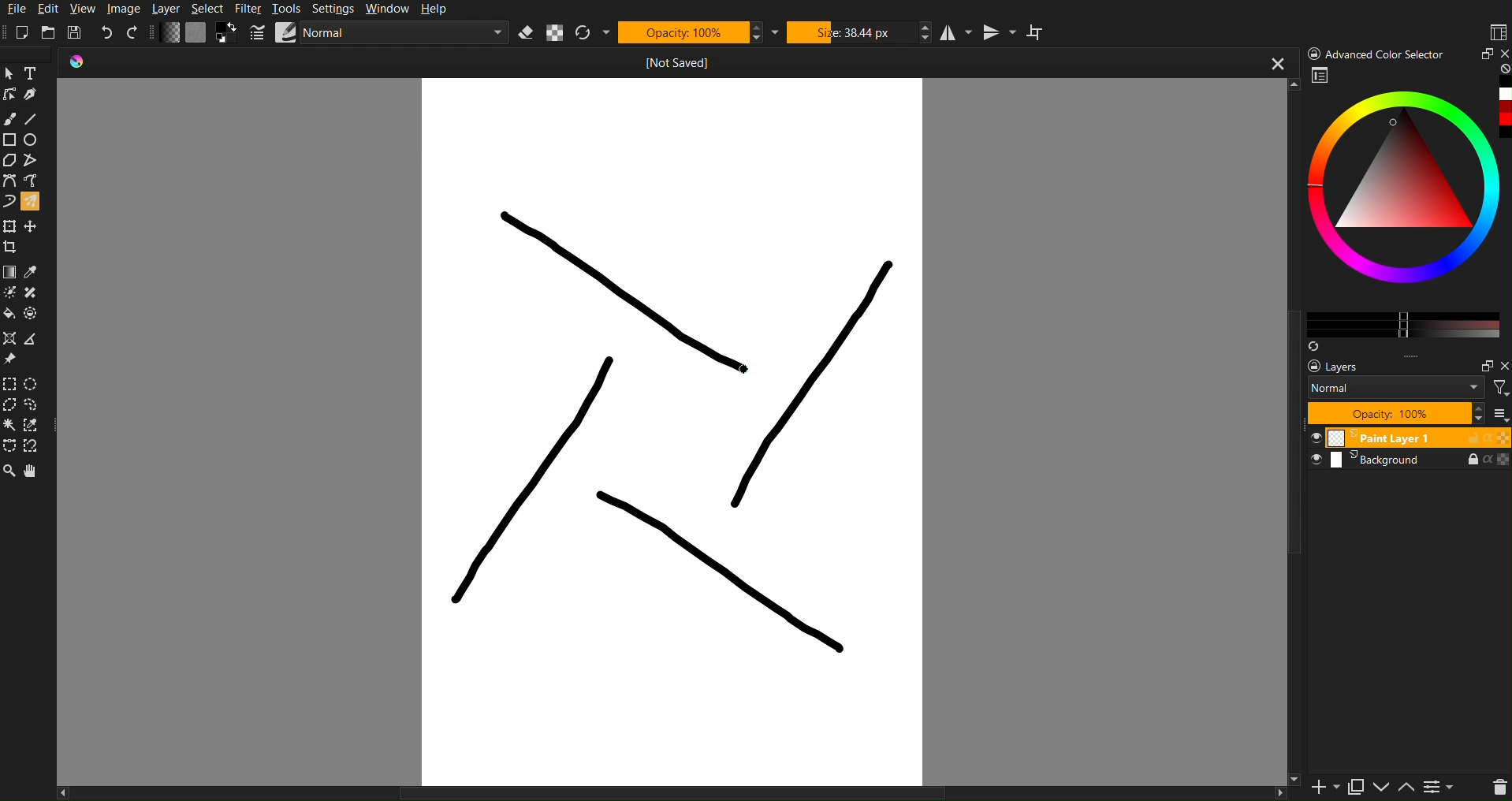 This screenshot has height=801, width=1512. Describe the element at coordinates (35, 201) in the screenshot. I see `Mouse` at that location.